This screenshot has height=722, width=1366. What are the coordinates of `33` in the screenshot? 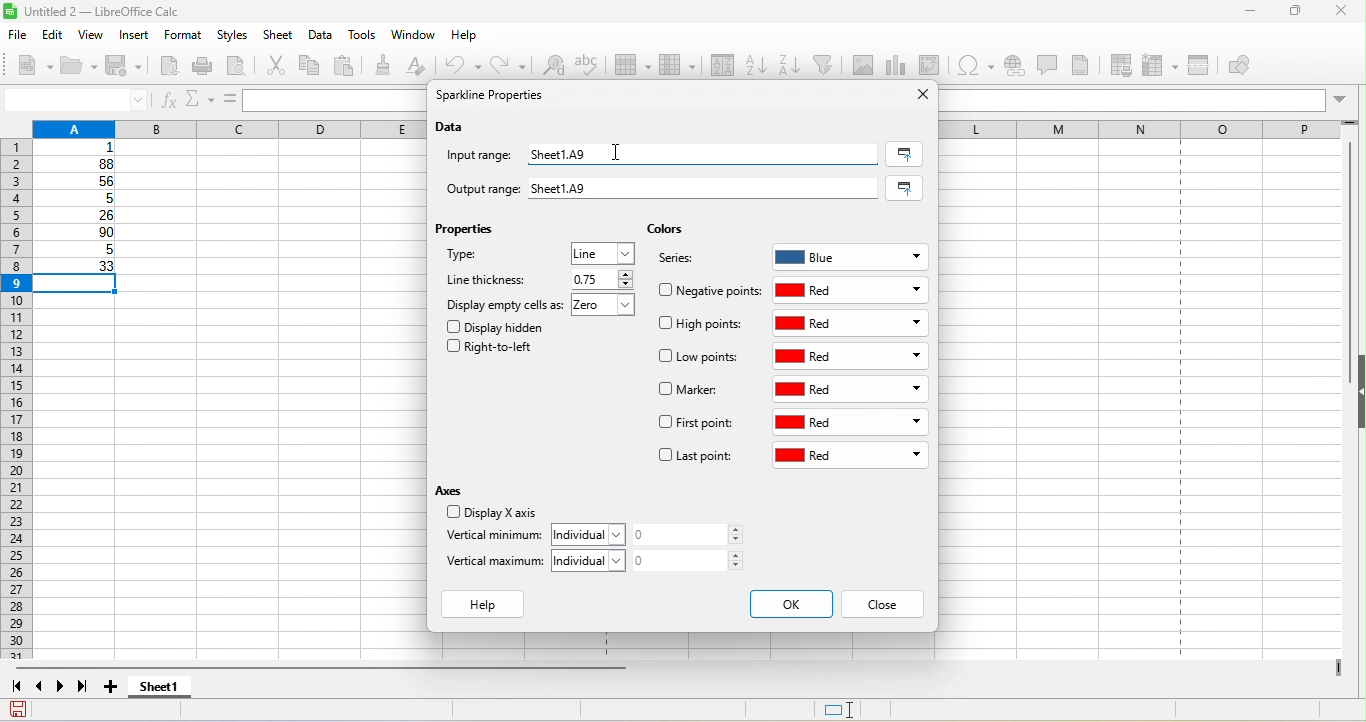 It's located at (78, 267).